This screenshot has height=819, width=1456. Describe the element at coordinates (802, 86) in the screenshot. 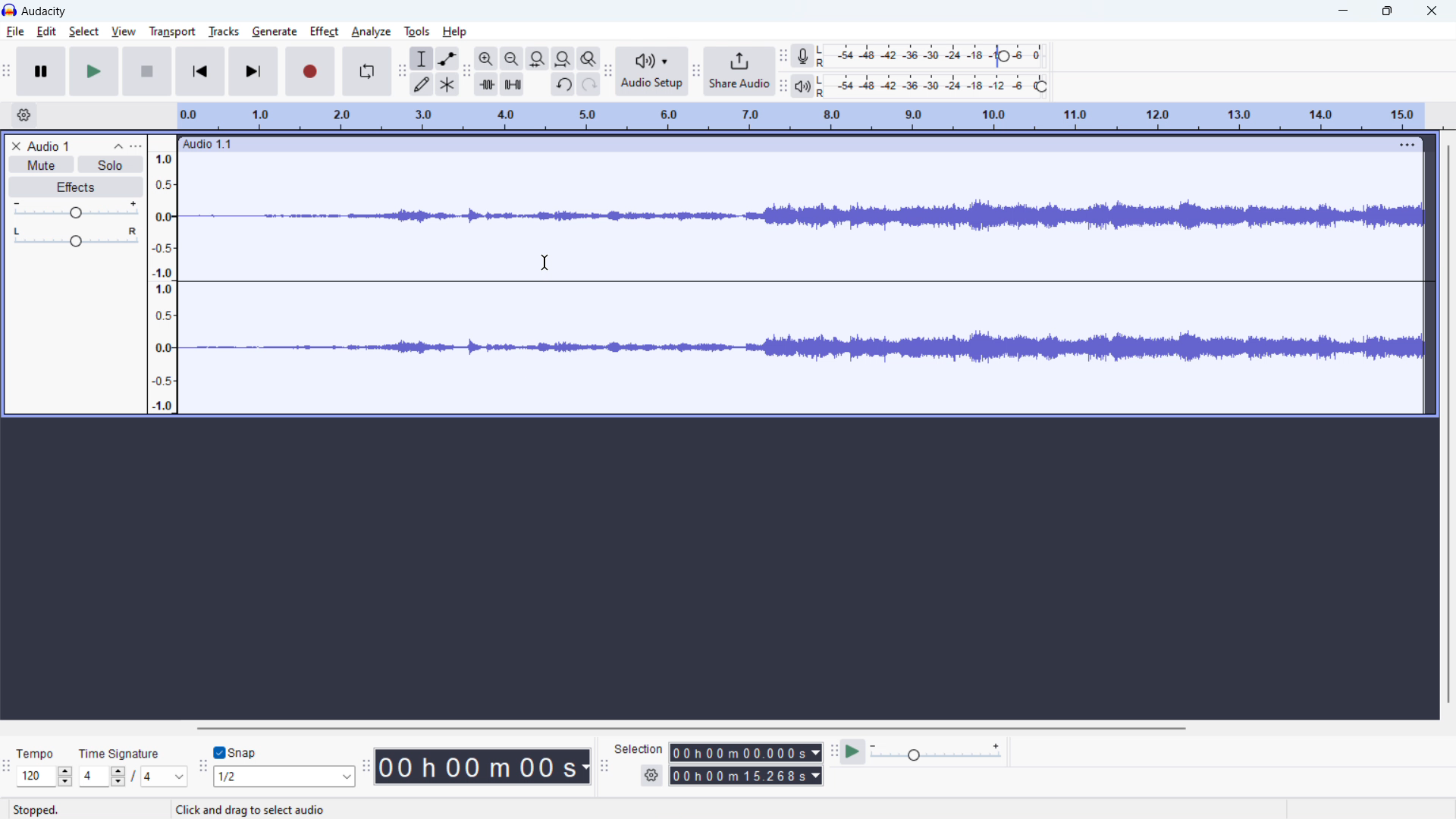

I see `playback meter` at that location.